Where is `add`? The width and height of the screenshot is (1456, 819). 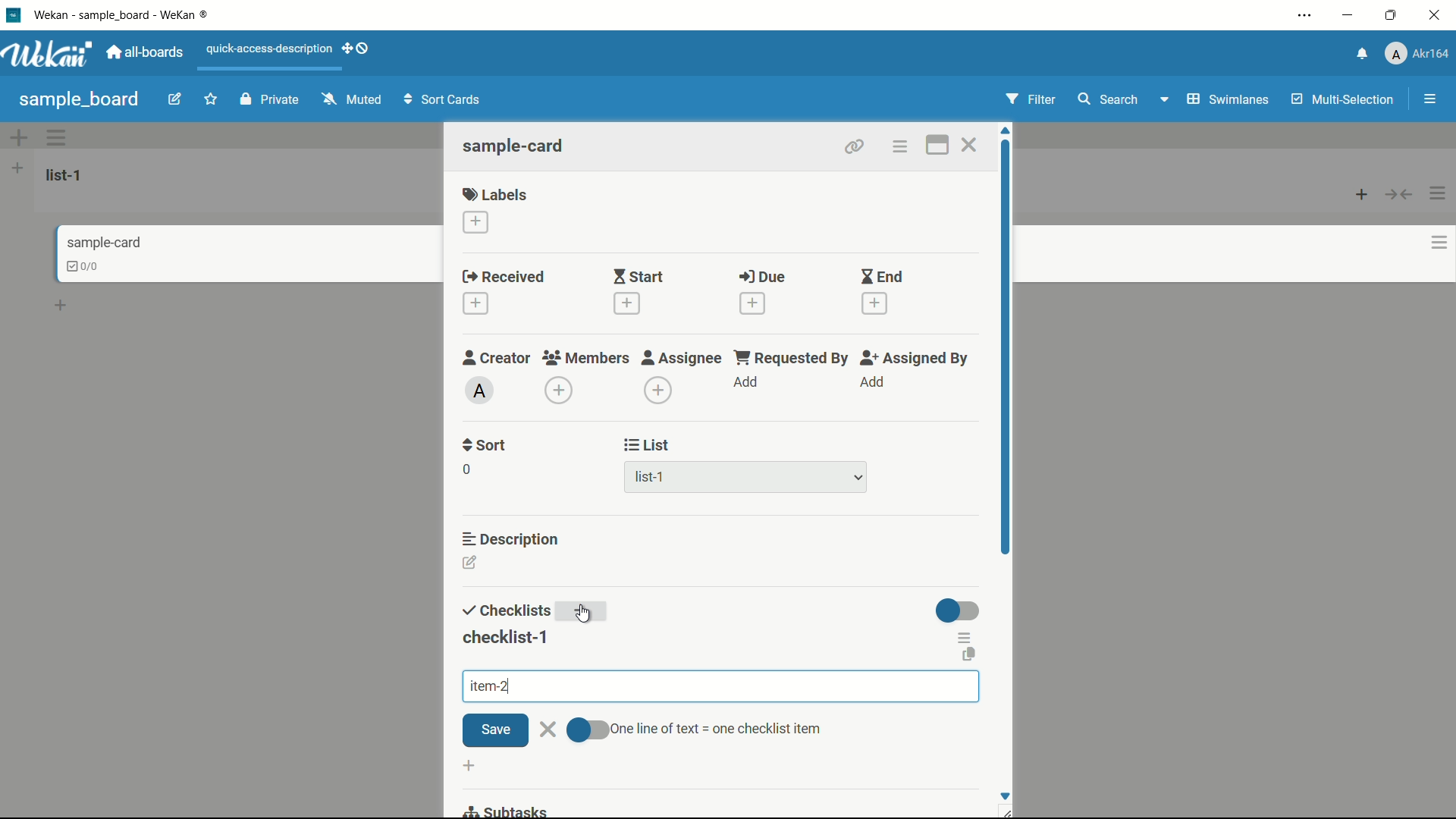
add is located at coordinates (585, 613).